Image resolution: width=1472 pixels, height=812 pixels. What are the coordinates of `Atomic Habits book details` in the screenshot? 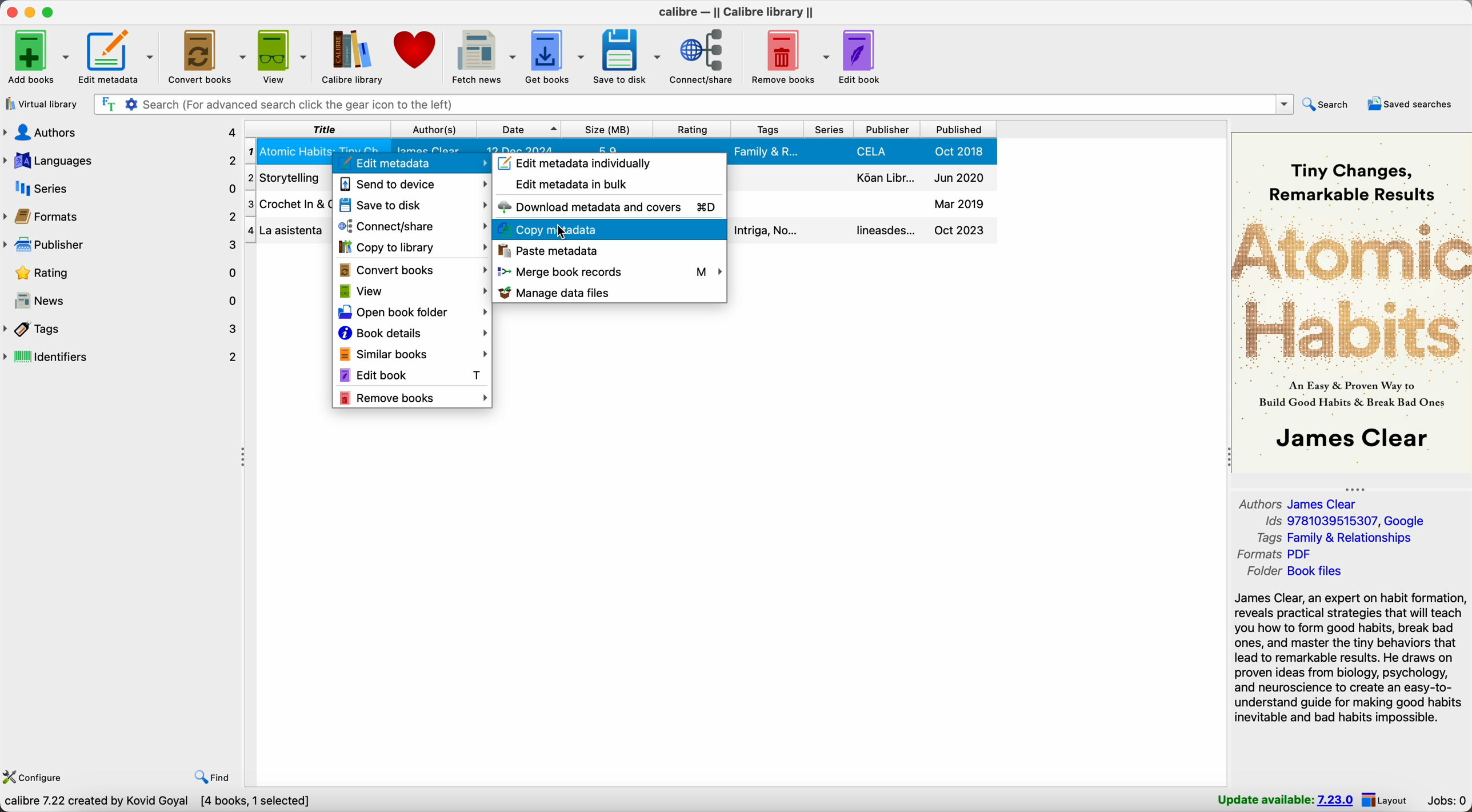 It's located at (617, 146).